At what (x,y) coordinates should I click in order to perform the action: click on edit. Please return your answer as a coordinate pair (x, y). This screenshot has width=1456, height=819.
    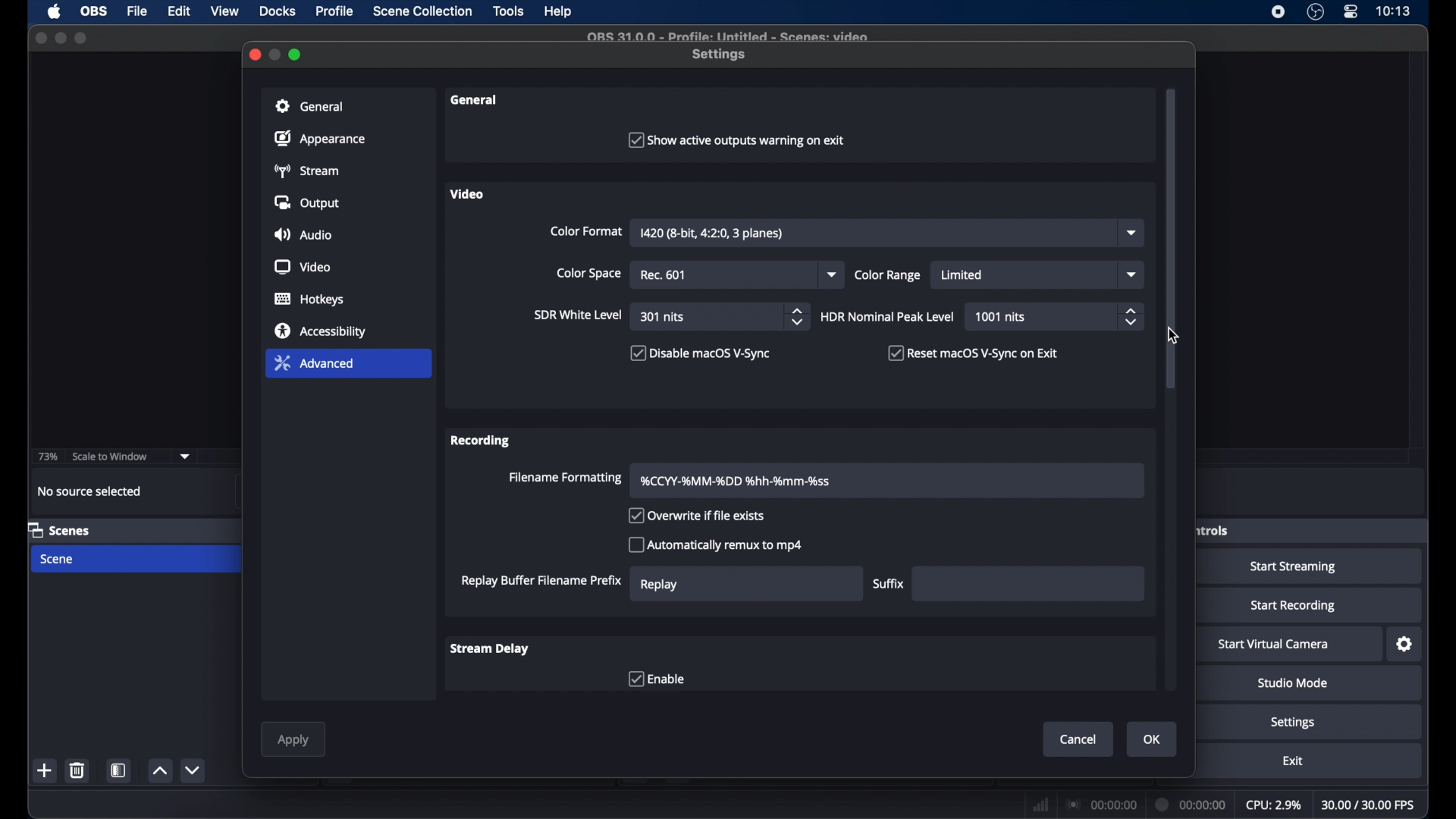
    Looking at the image, I should click on (178, 11).